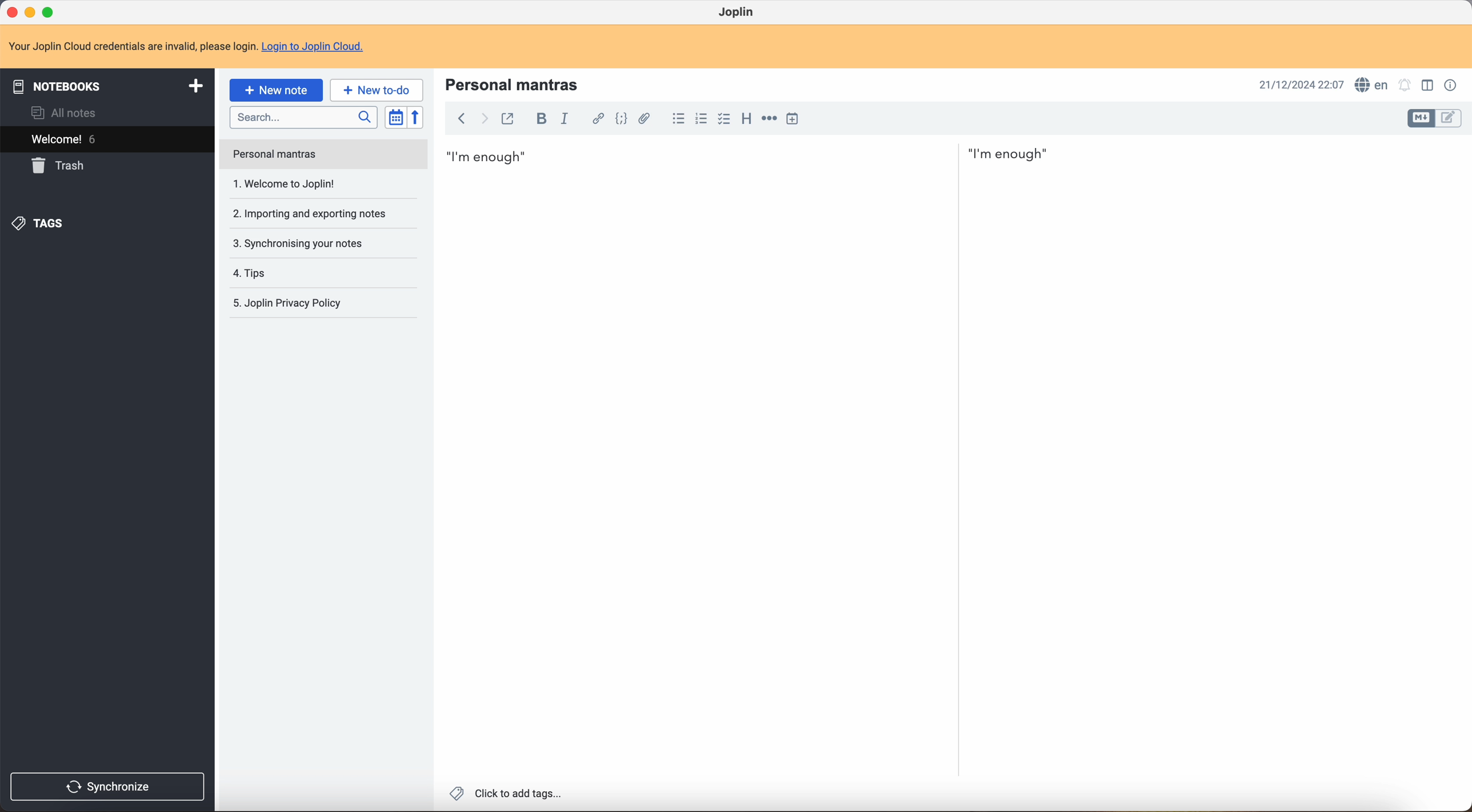 The width and height of the screenshot is (1472, 812). I want to click on new to-do, so click(376, 89).